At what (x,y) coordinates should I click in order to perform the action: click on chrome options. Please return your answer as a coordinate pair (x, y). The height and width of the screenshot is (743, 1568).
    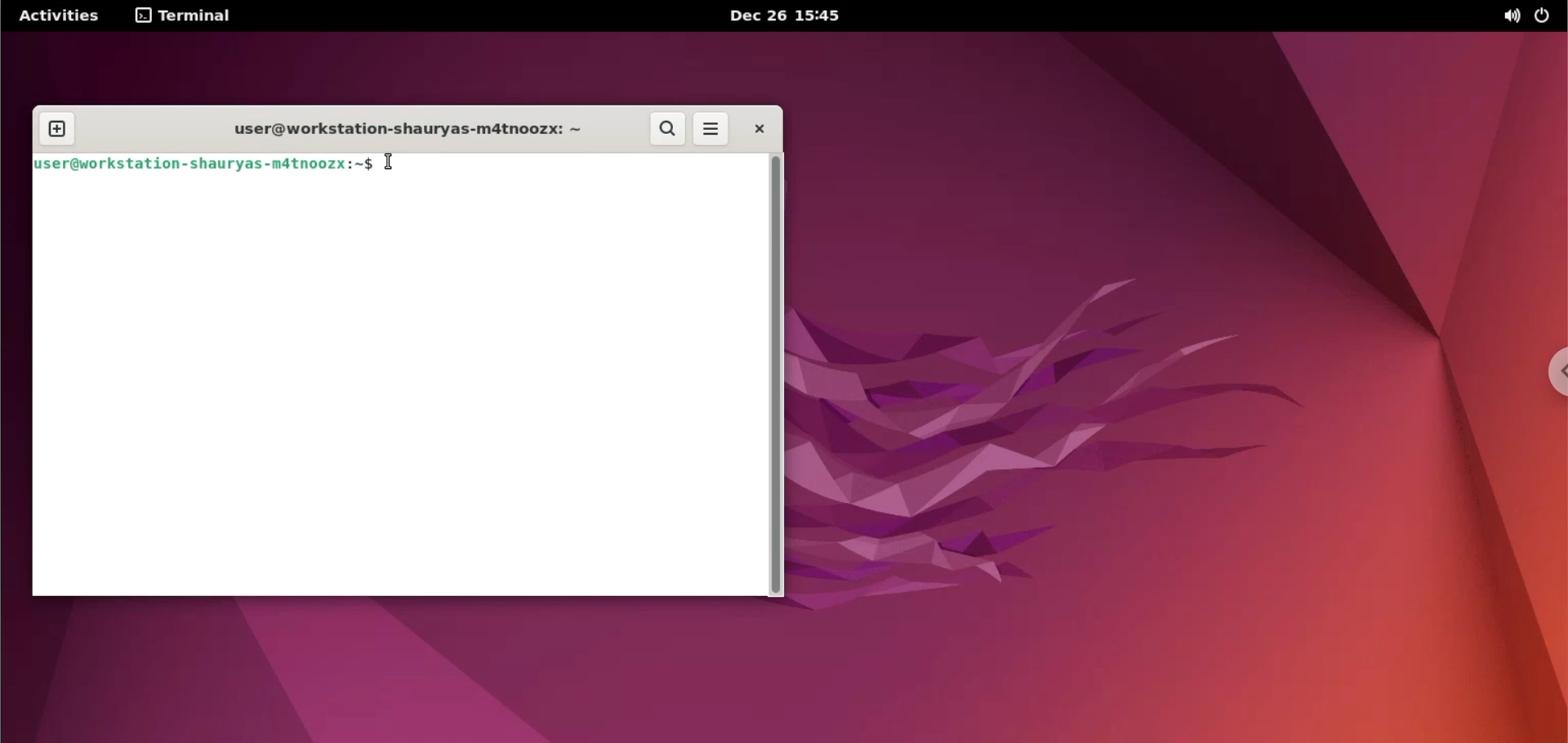
    Looking at the image, I should click on (1554, 371).